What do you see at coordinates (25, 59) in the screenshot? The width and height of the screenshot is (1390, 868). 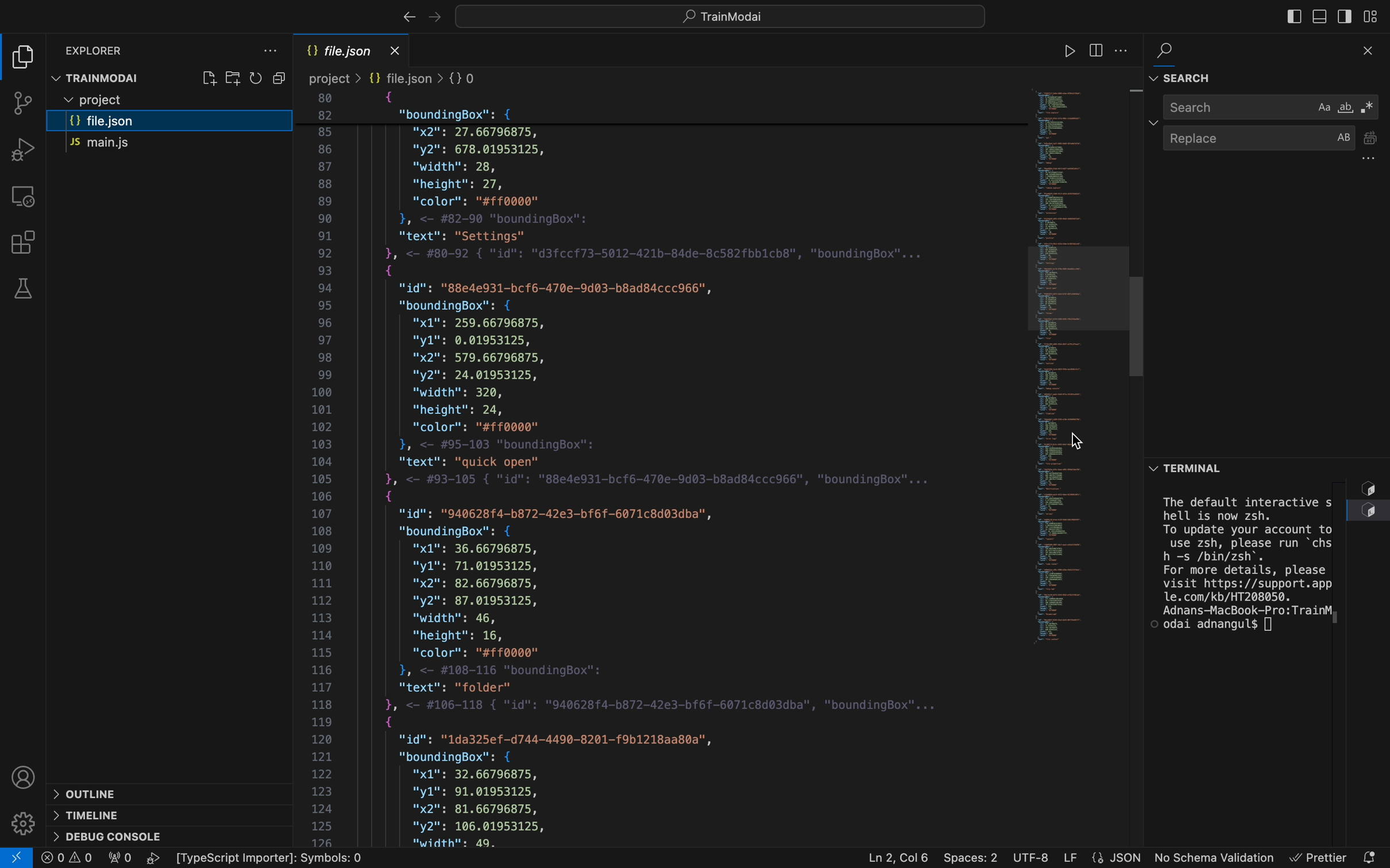 I see `file explorer ` at bounding box center [25, 59].